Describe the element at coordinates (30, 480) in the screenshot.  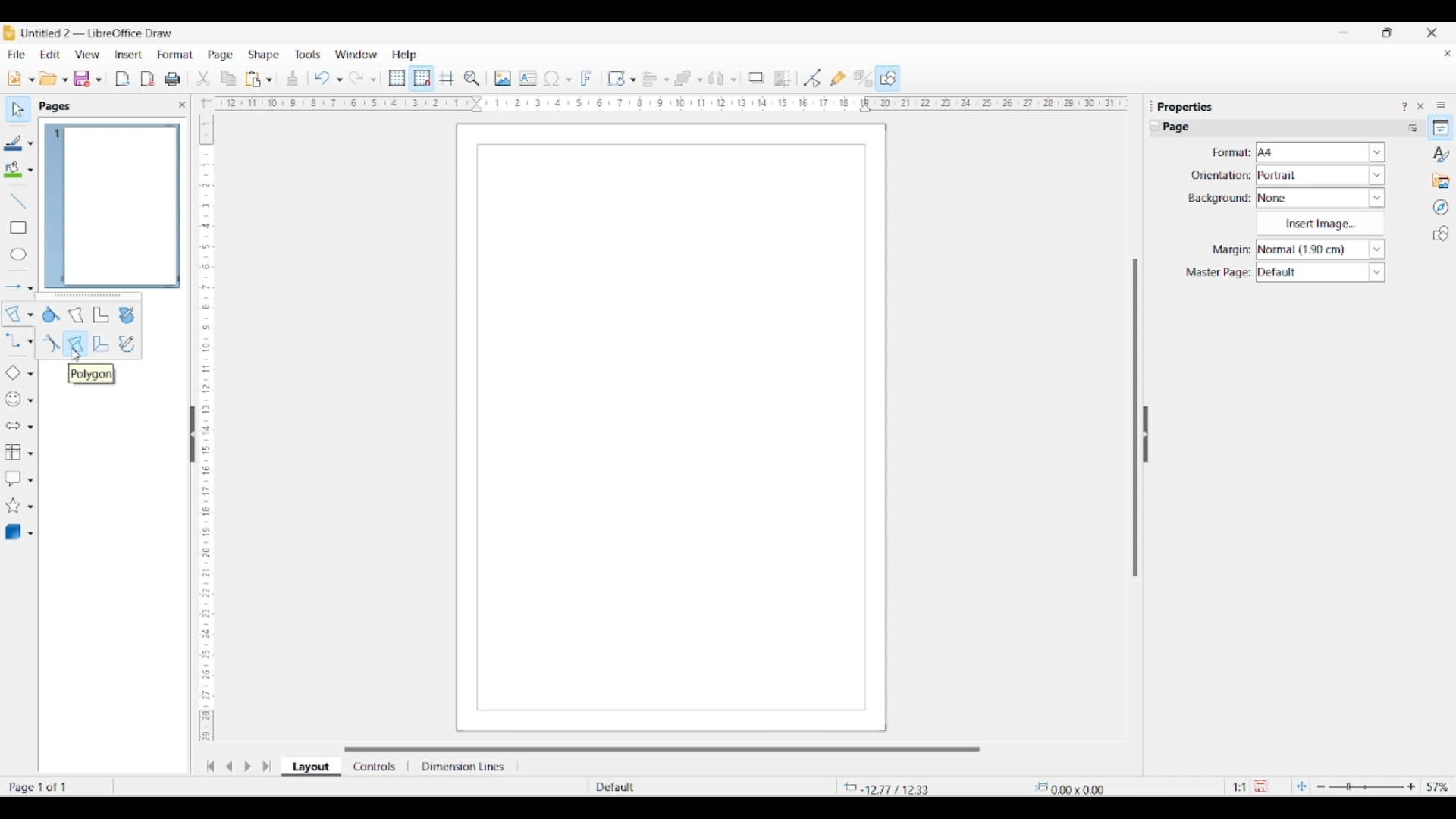
I see `Callout shape options` at that location.